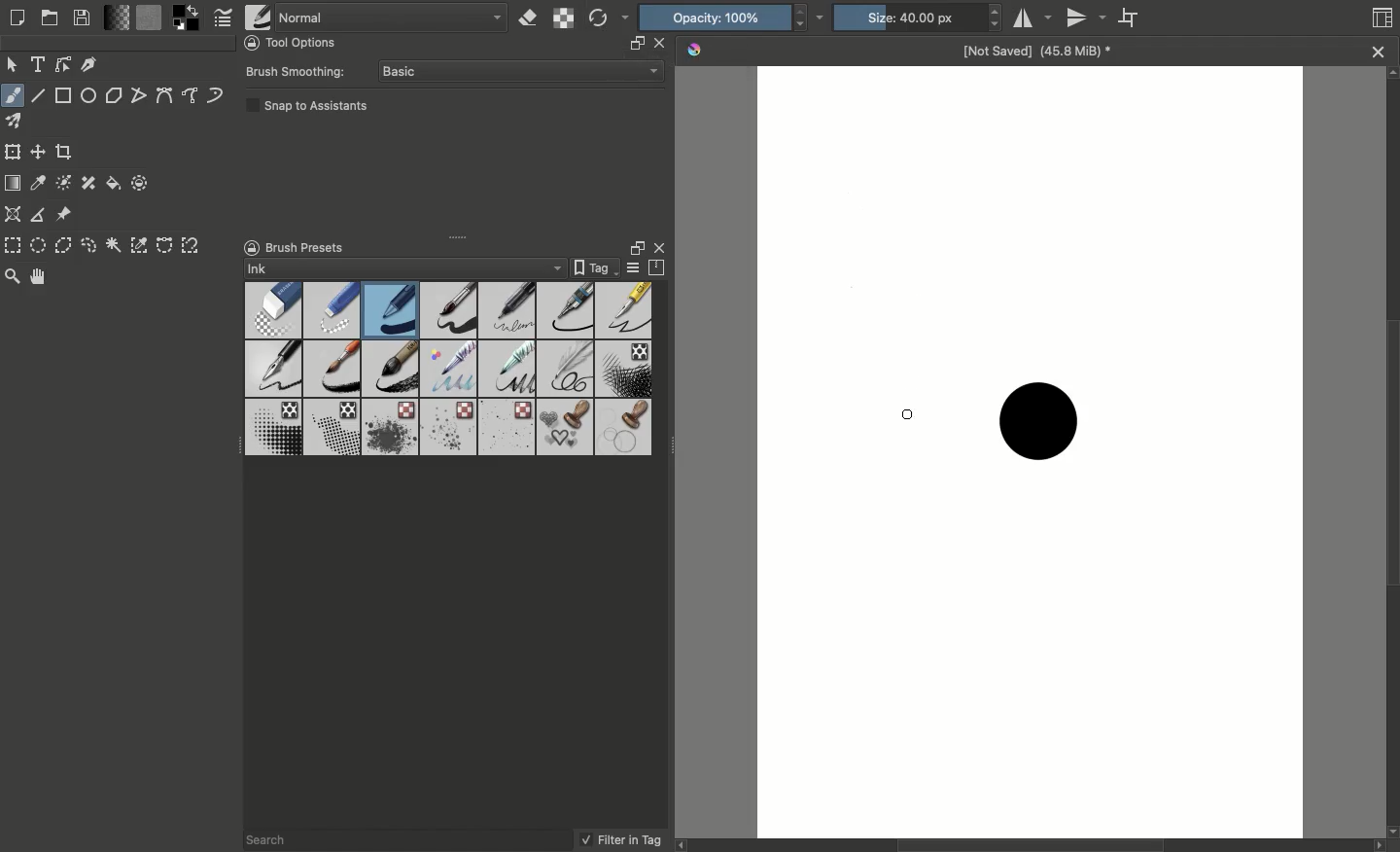 Image resolution: width=1400 pixels, height=852 pixels. Describe the element at coordinates (594, 268) in the screenshot. I see `Tag` at that location.